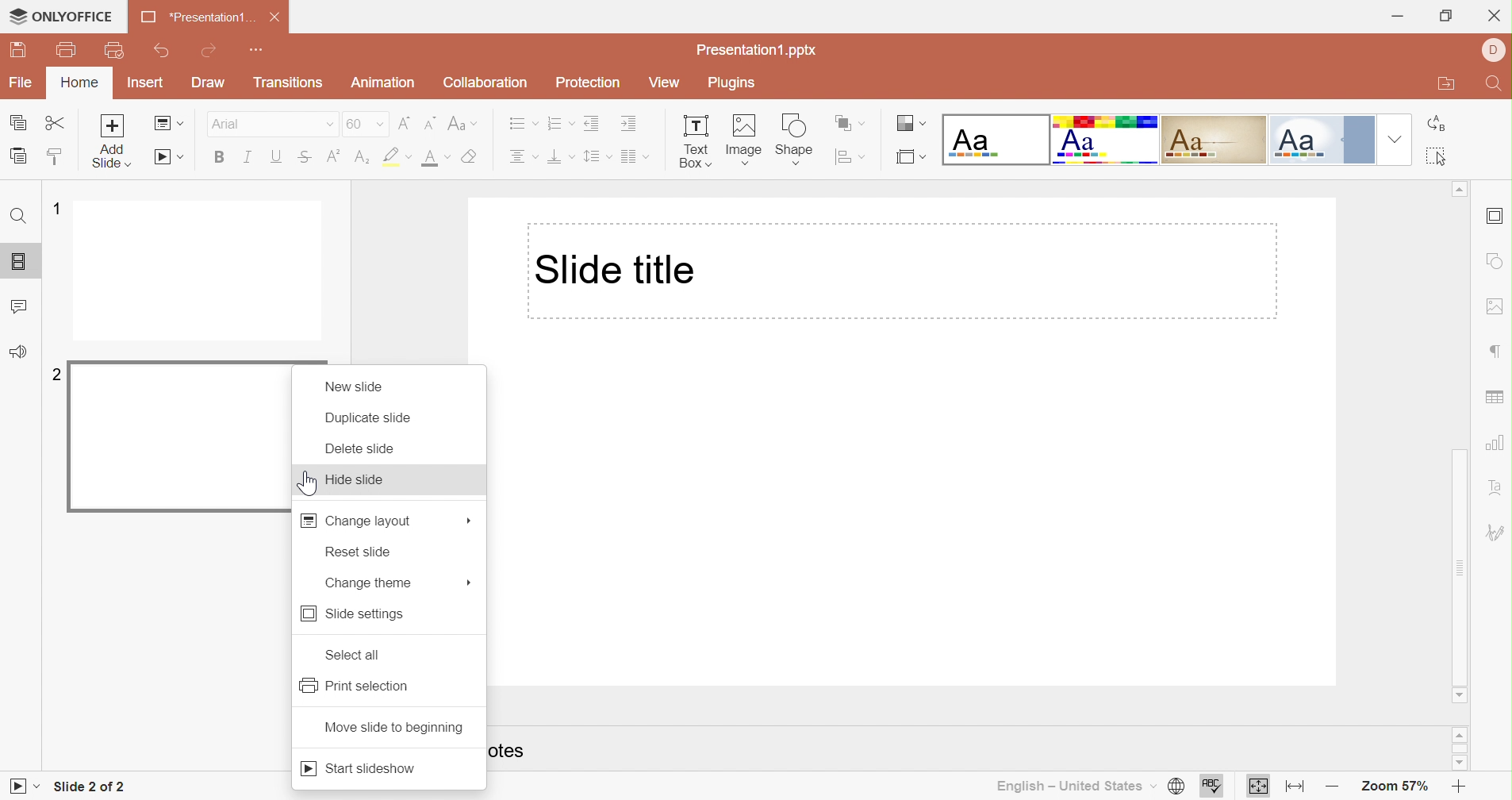 This screenshot has height=800, width=1512. Describe the element at coordinates (22, 51) in the screenshot. I see `Save` at that location.